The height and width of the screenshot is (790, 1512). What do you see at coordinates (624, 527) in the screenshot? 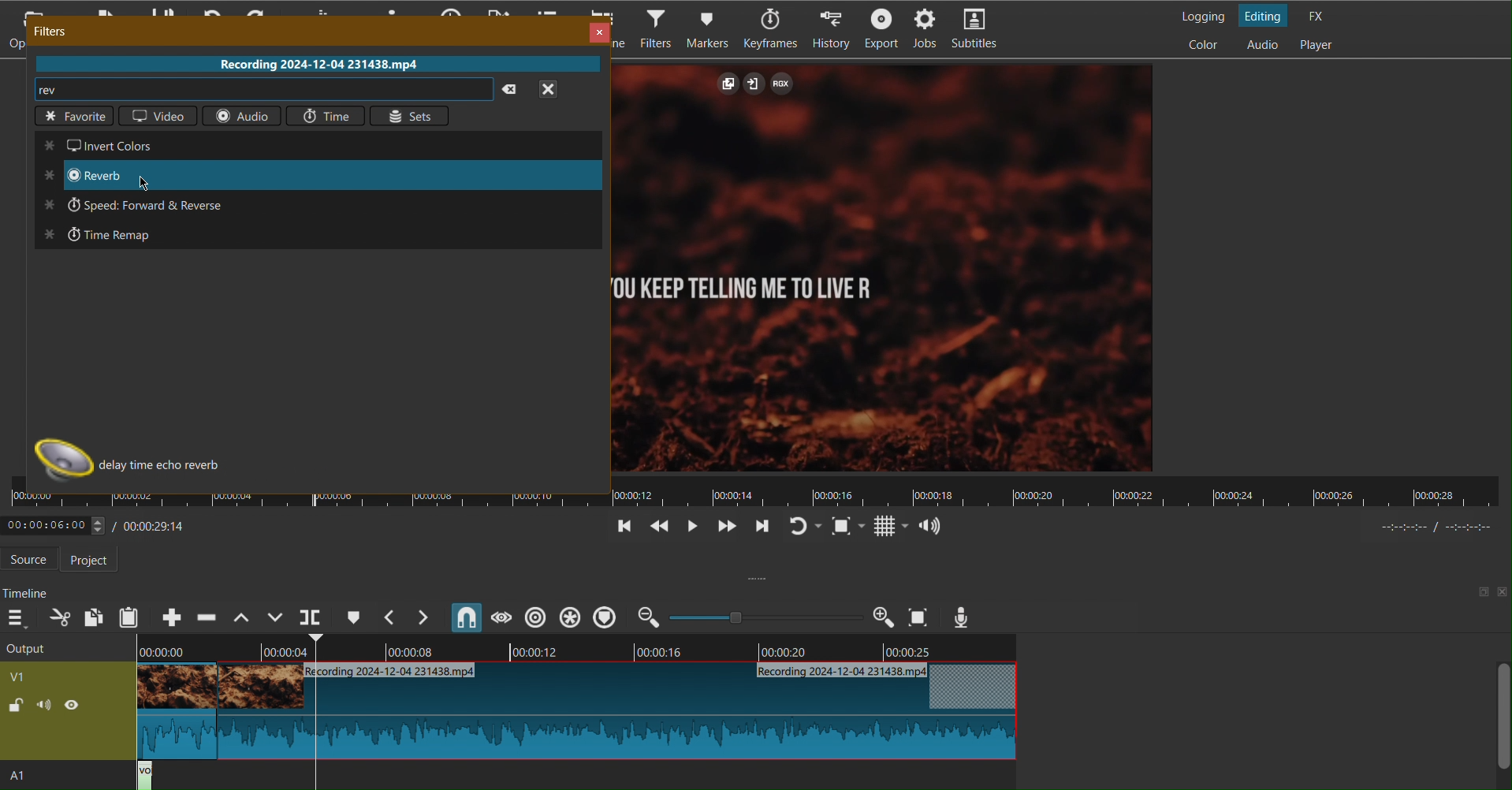
I see `Jump Back` at bounding box center [624, 527].